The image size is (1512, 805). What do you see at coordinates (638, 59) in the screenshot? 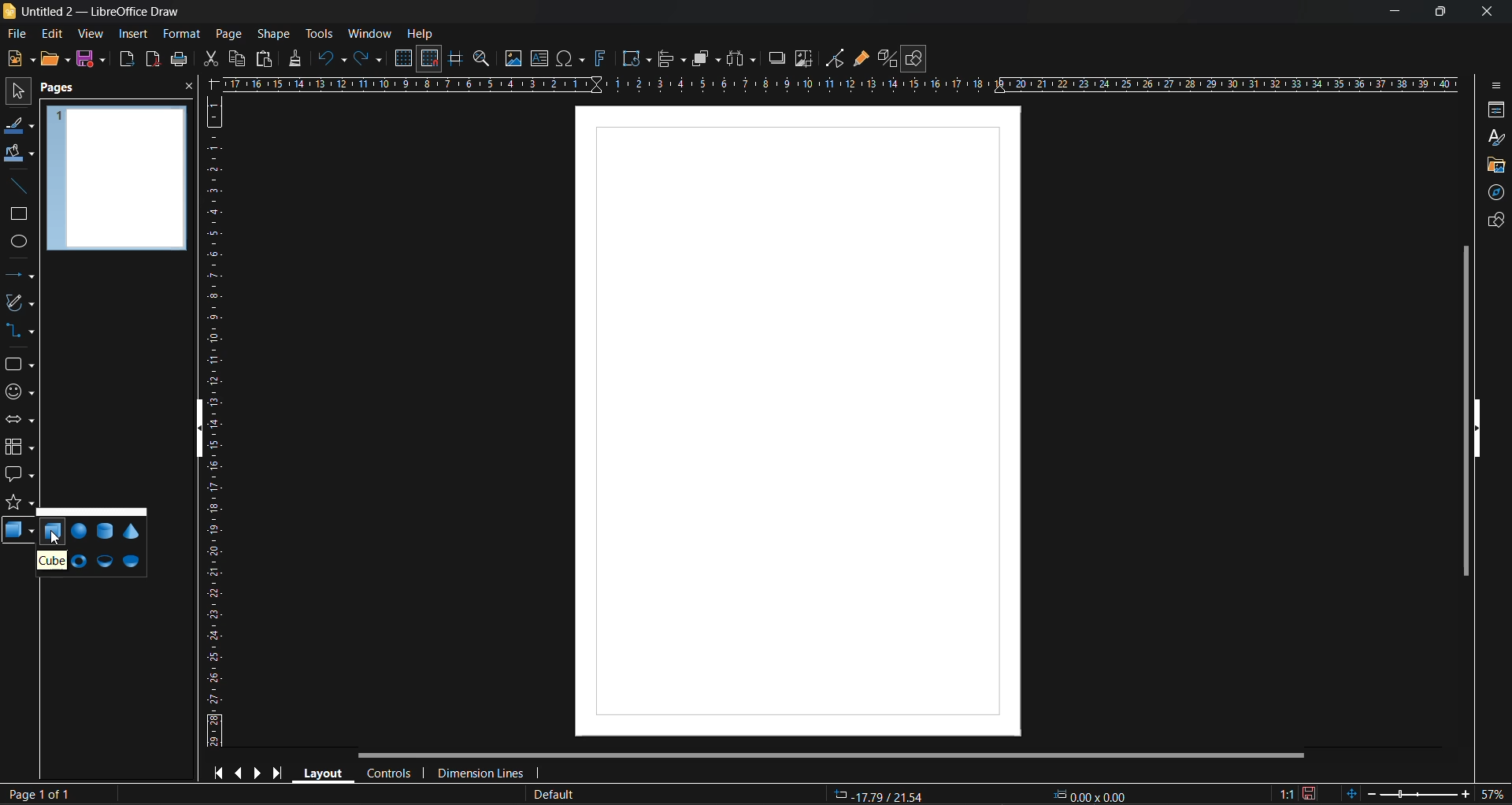
I see `transformations` at bounding box center [638, 59].